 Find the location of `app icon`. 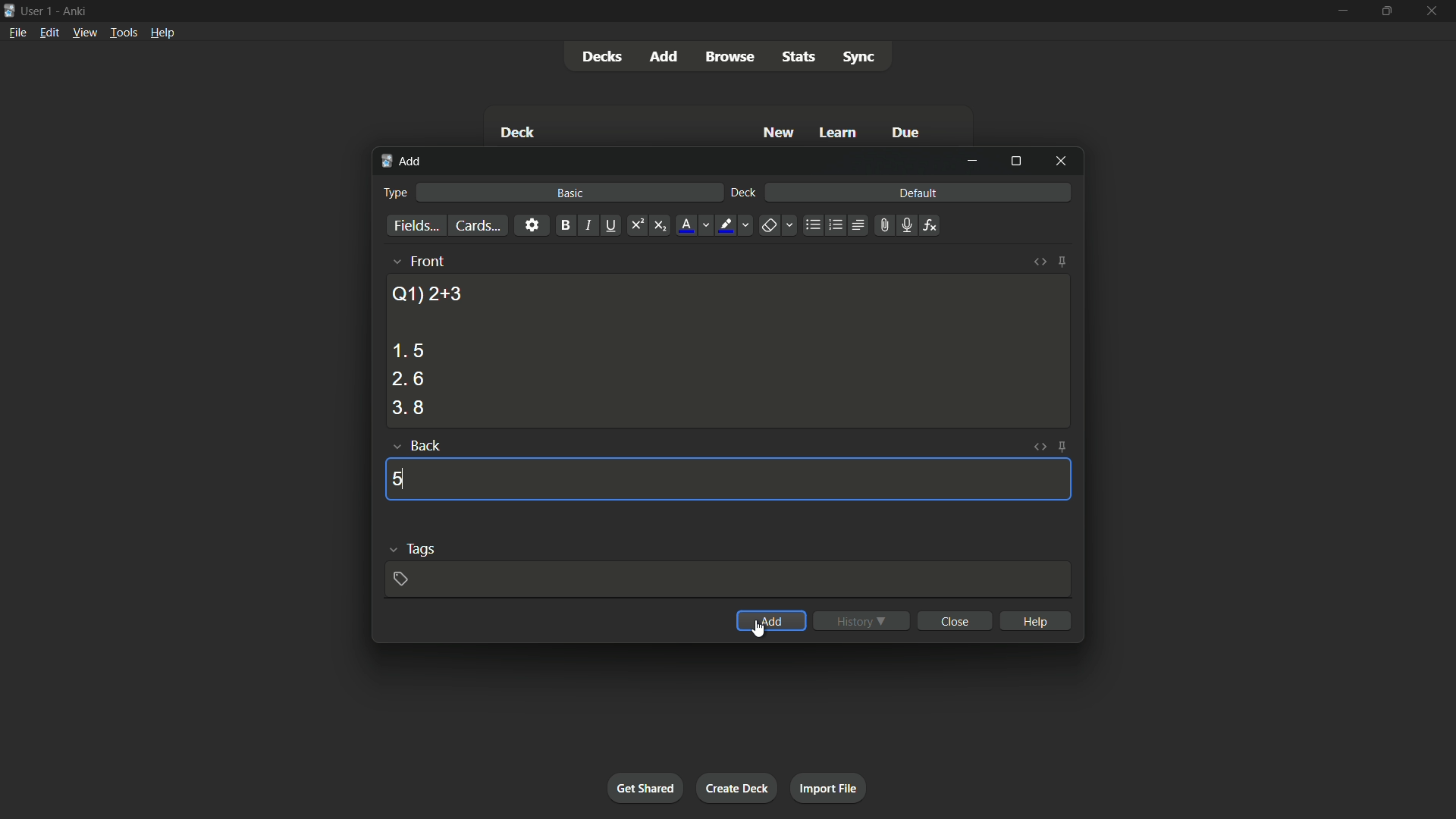

app icon is located at coordinates (9, 9).